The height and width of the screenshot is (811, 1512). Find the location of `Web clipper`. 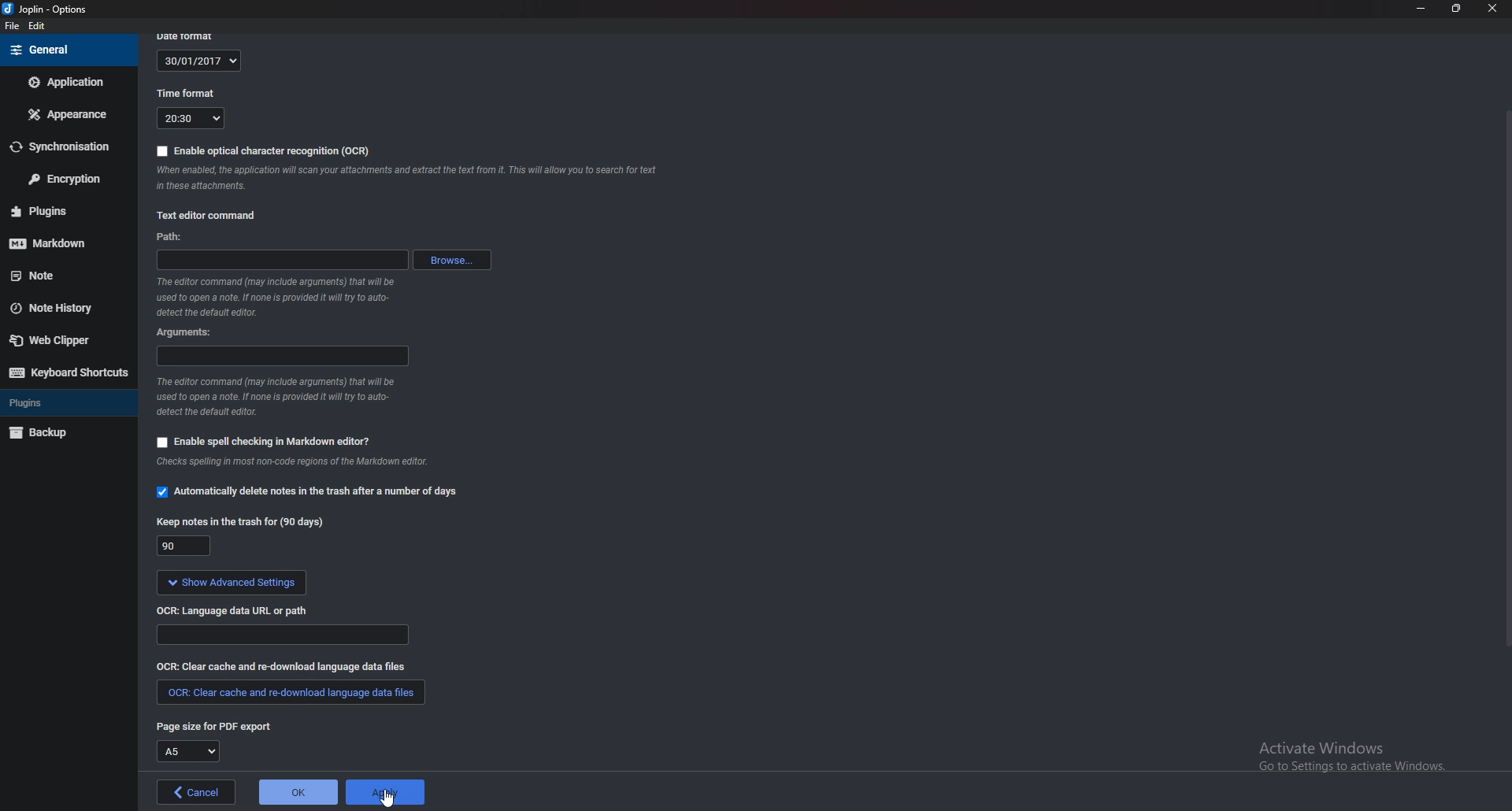

Web clipper is located at coordinates (61, 340).